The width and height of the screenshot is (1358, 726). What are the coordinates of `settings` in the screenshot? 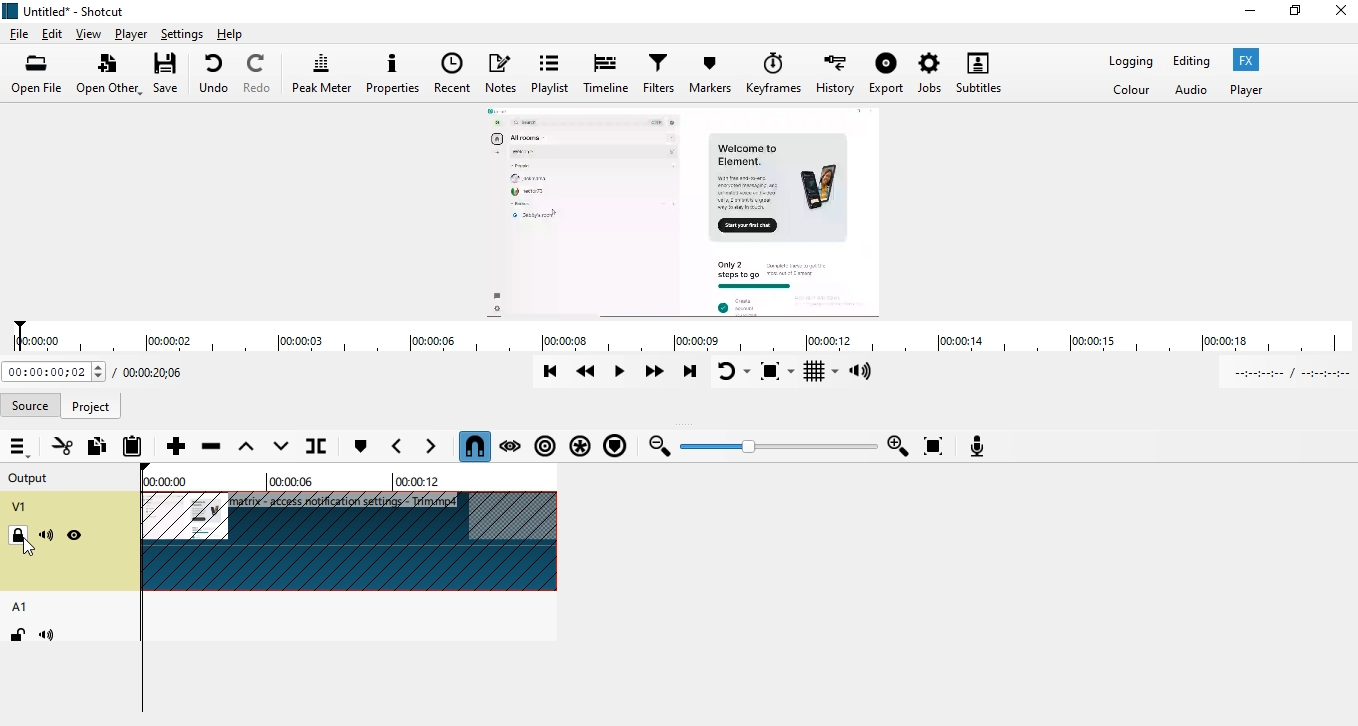 It's located at (179, 35).